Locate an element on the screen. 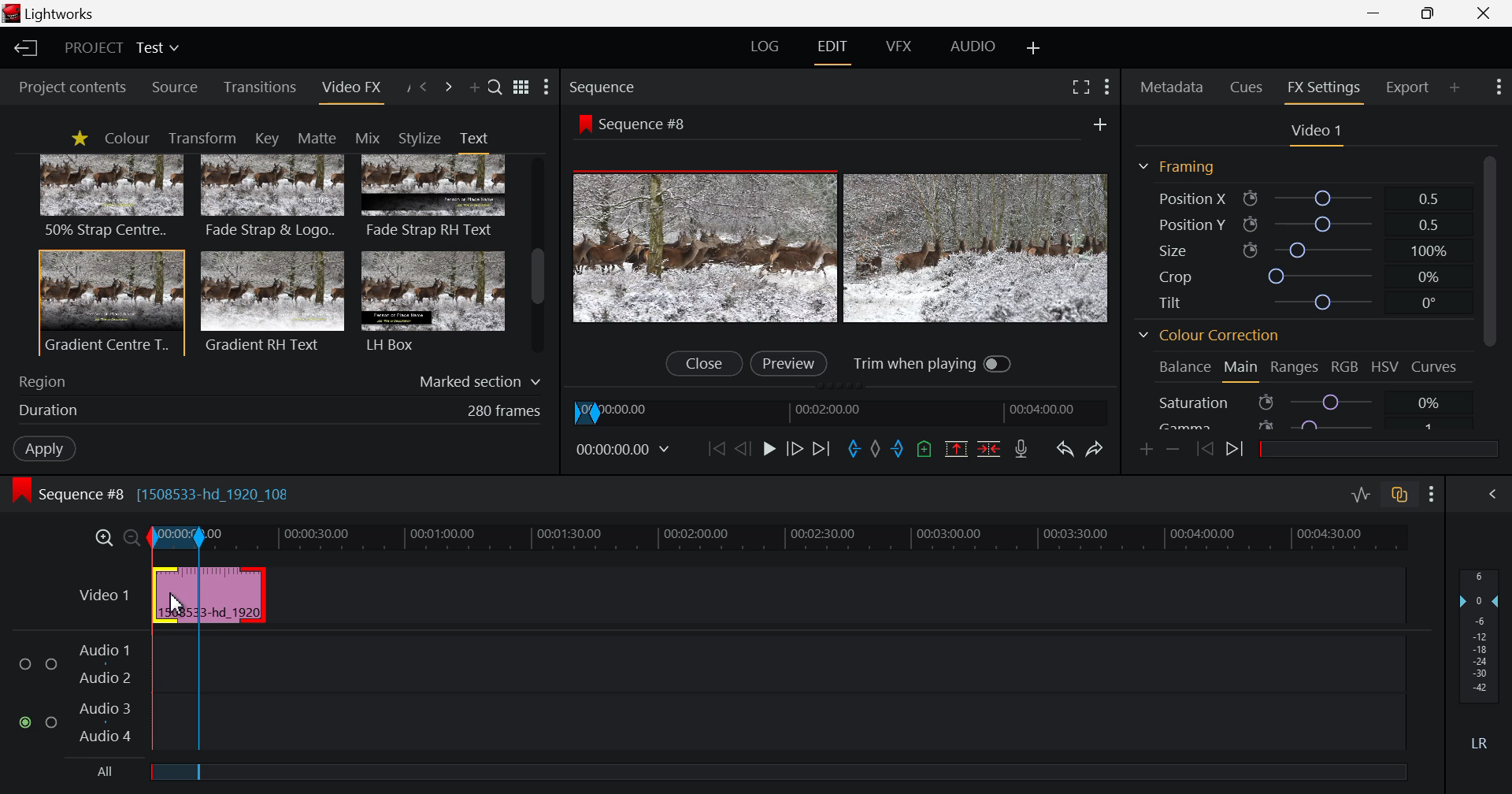  Position Y is located at coordinates (1303, 224).